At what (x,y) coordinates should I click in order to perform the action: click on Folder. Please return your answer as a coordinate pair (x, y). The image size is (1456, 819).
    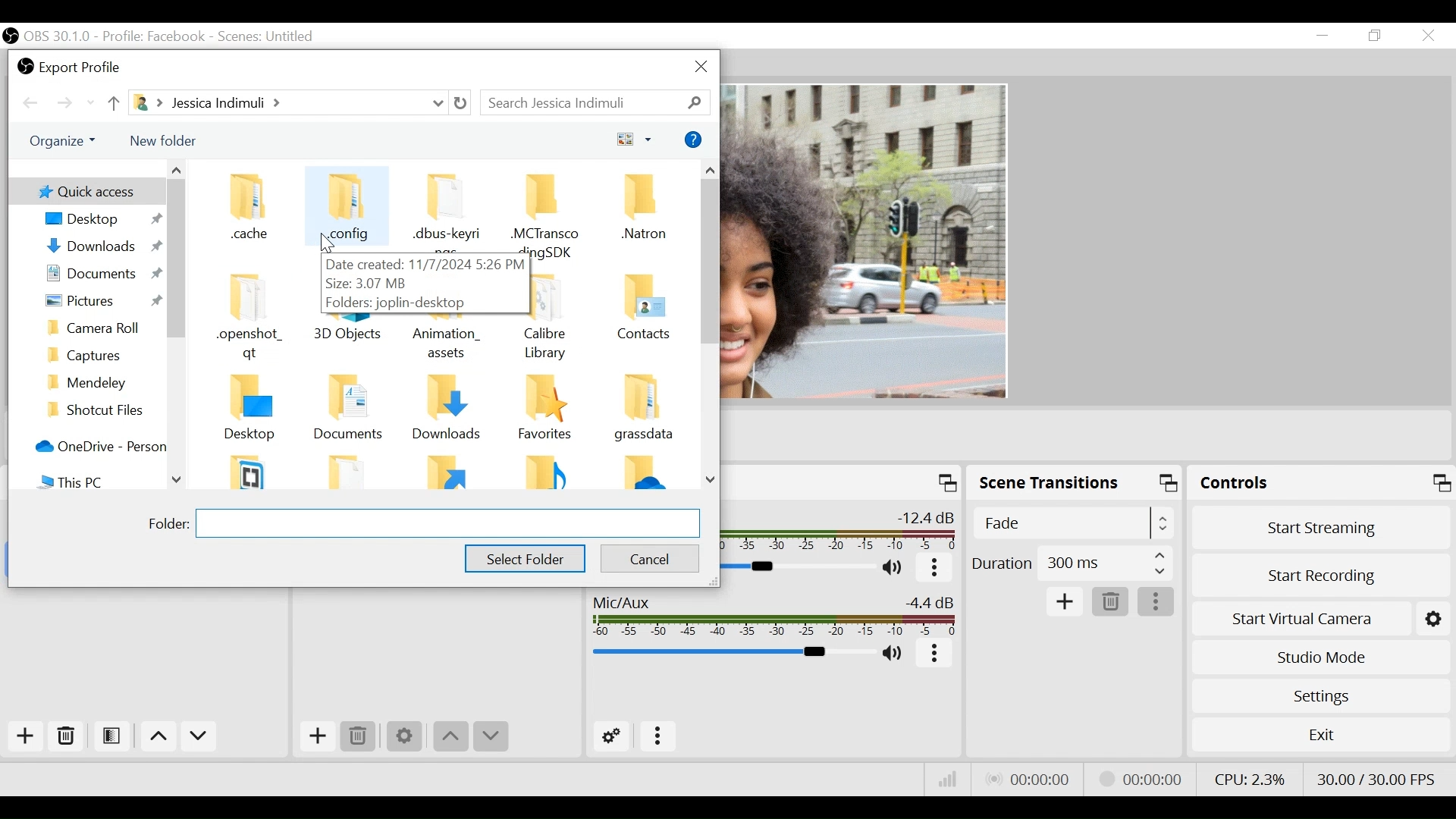
    Looking at the image, I should click on (101, 410).